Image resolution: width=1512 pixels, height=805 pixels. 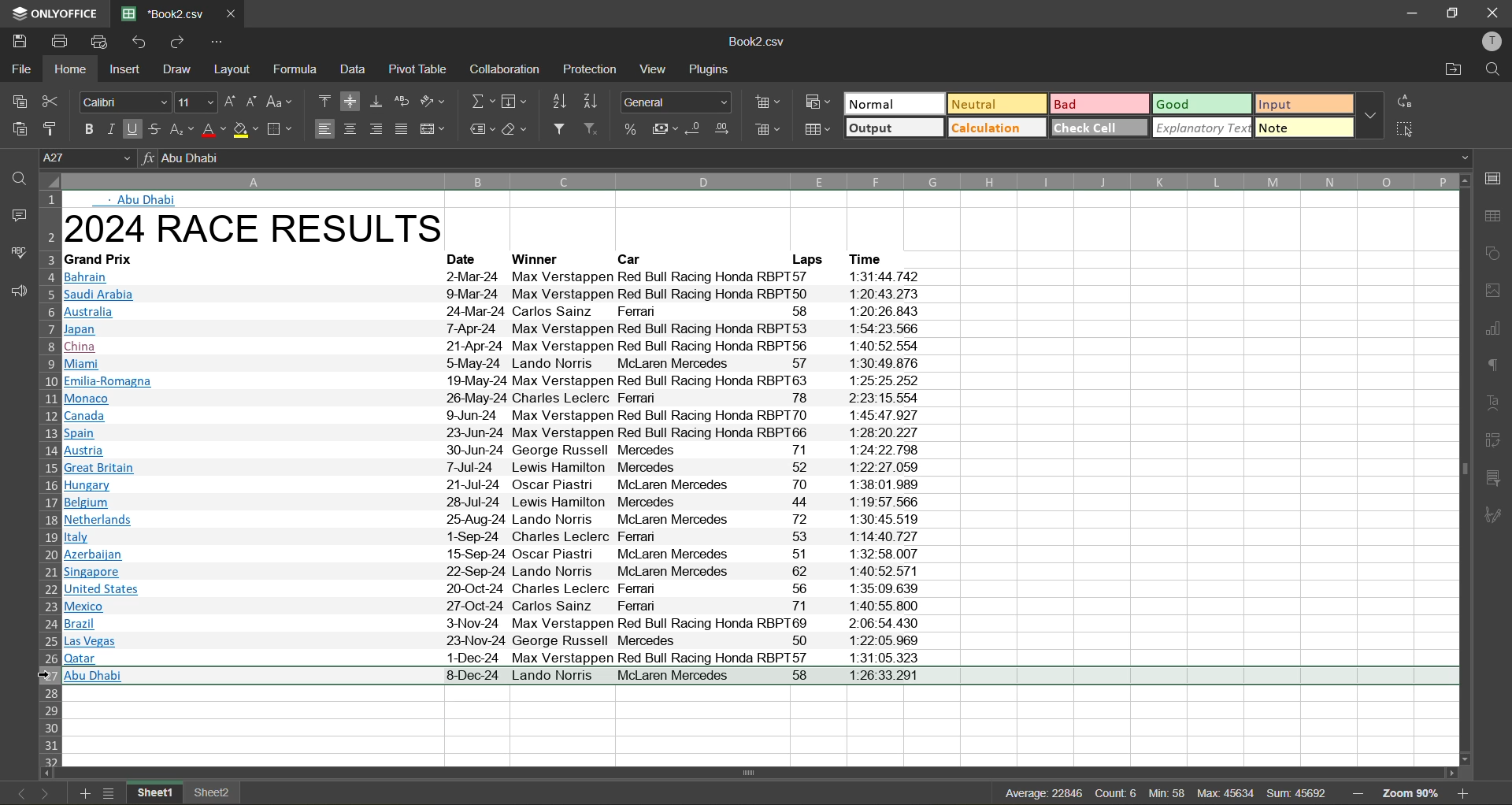 I want to click on collaboration, so click(x=506, y=69).